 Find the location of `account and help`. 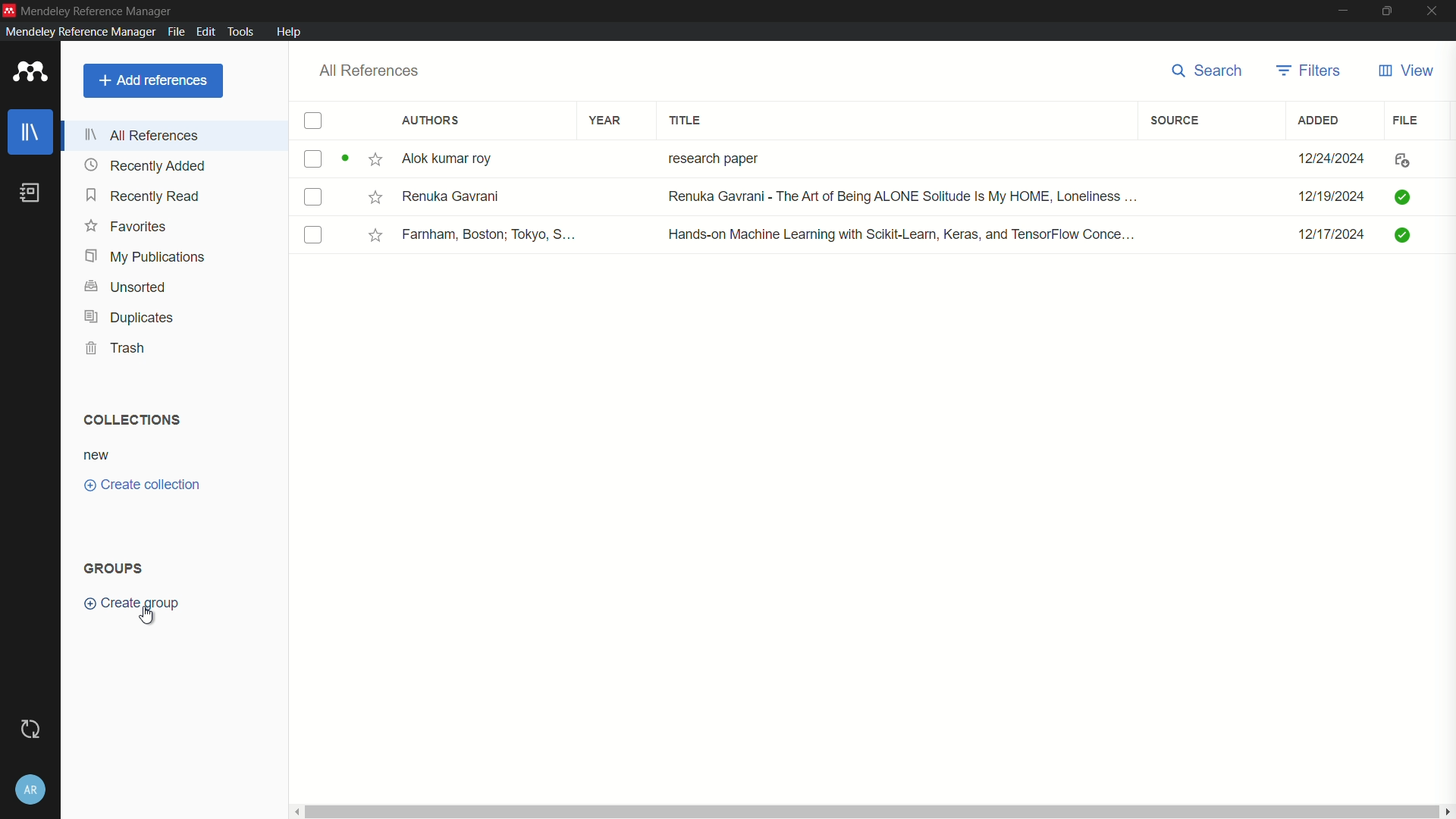

account and help is located at coordinates (31, 789).